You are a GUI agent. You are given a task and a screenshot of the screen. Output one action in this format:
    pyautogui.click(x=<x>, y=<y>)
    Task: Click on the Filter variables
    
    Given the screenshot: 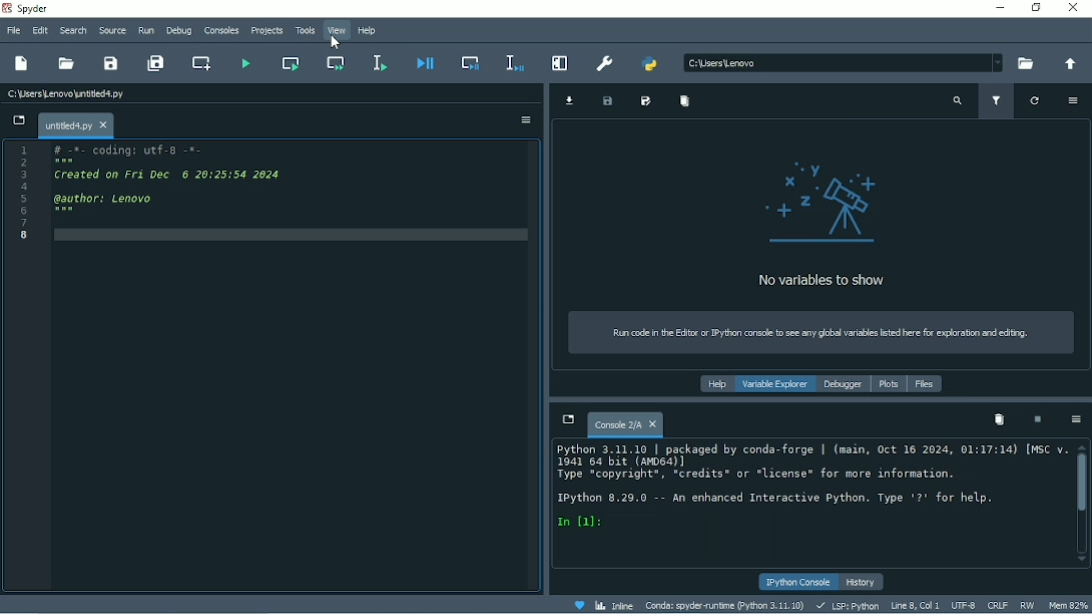 What is the action you would take?
    pyautogui.click(x=996, y=101)
    